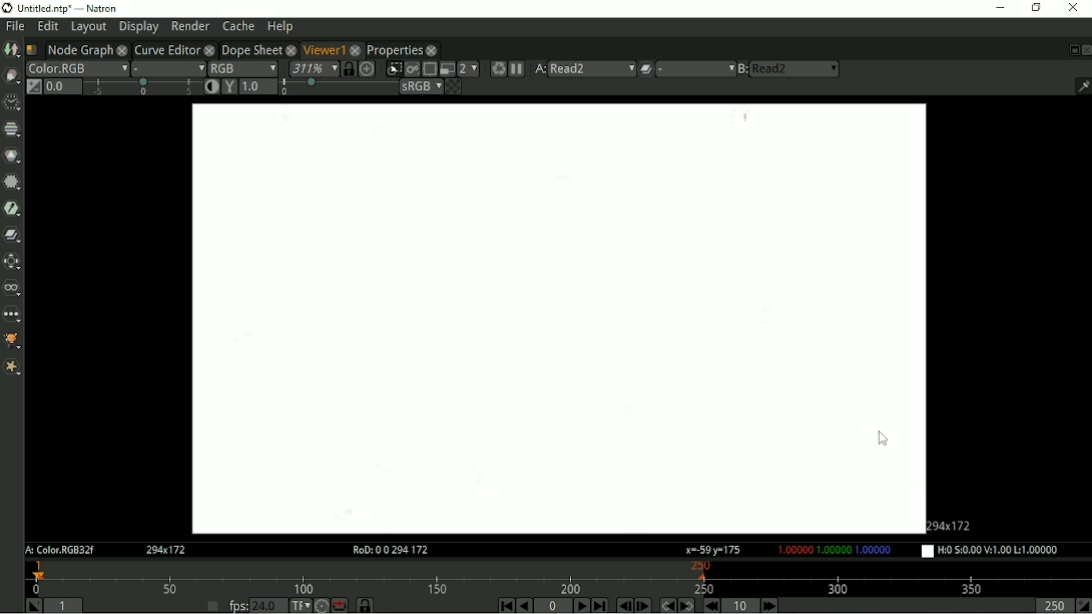 This screenshot has width=1092, height=614. What do you see at coordinates (237, 606) in the screenshot?
I see `fps` at bounding box center [237, 606].